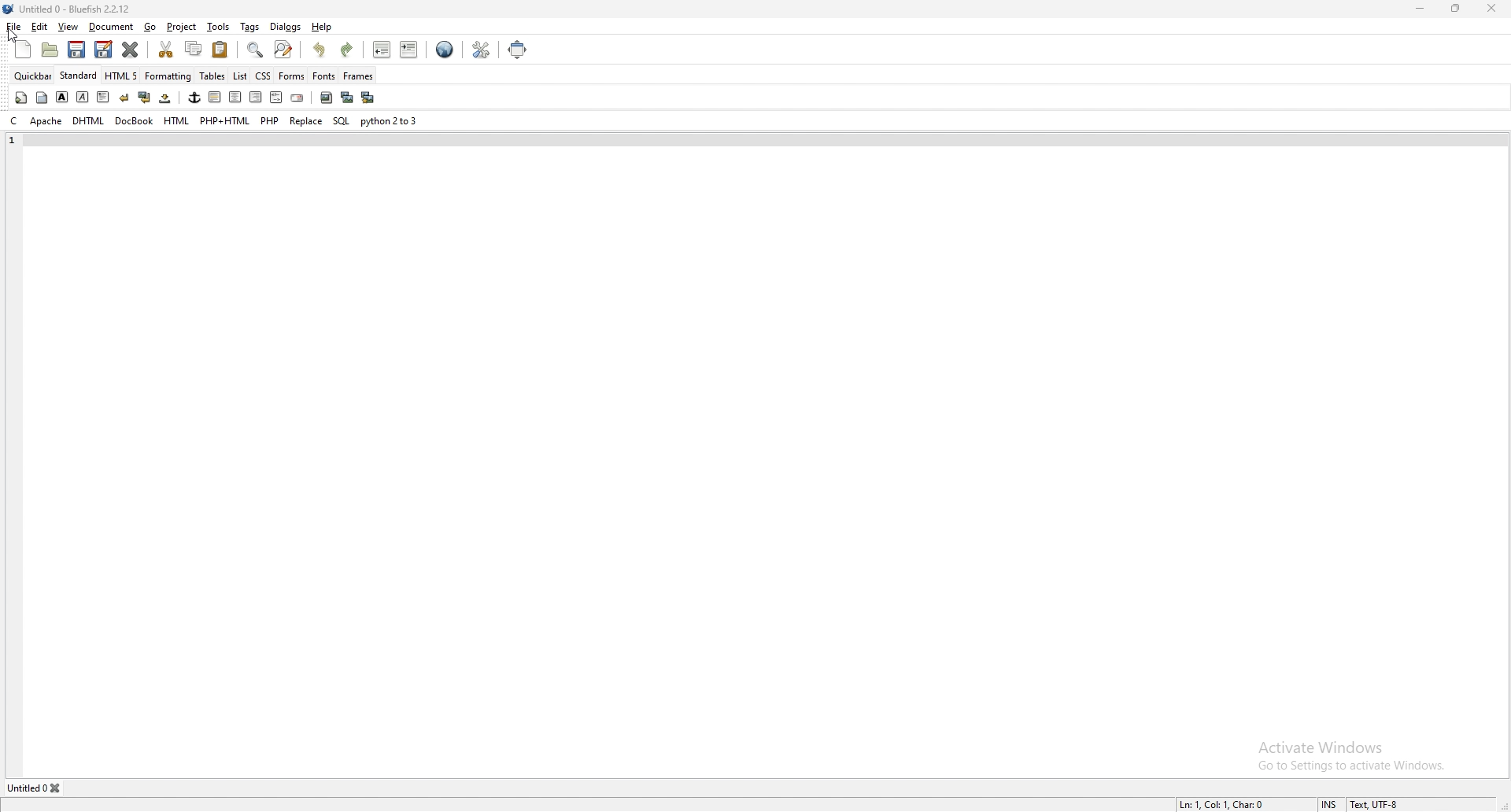  Describe the element at coordinates (215, 97) in the screenshot. I see `horizontal rule` at that location.